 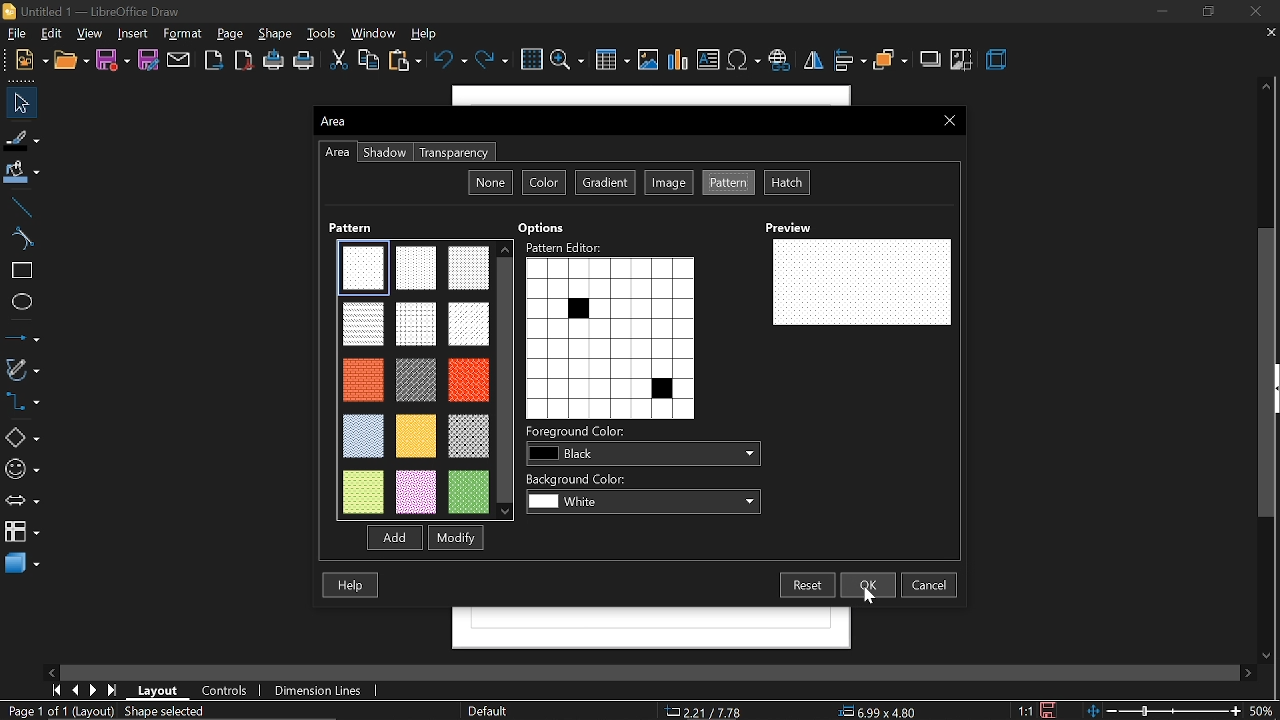 I want to click on layout, so click(x=155, y=690).